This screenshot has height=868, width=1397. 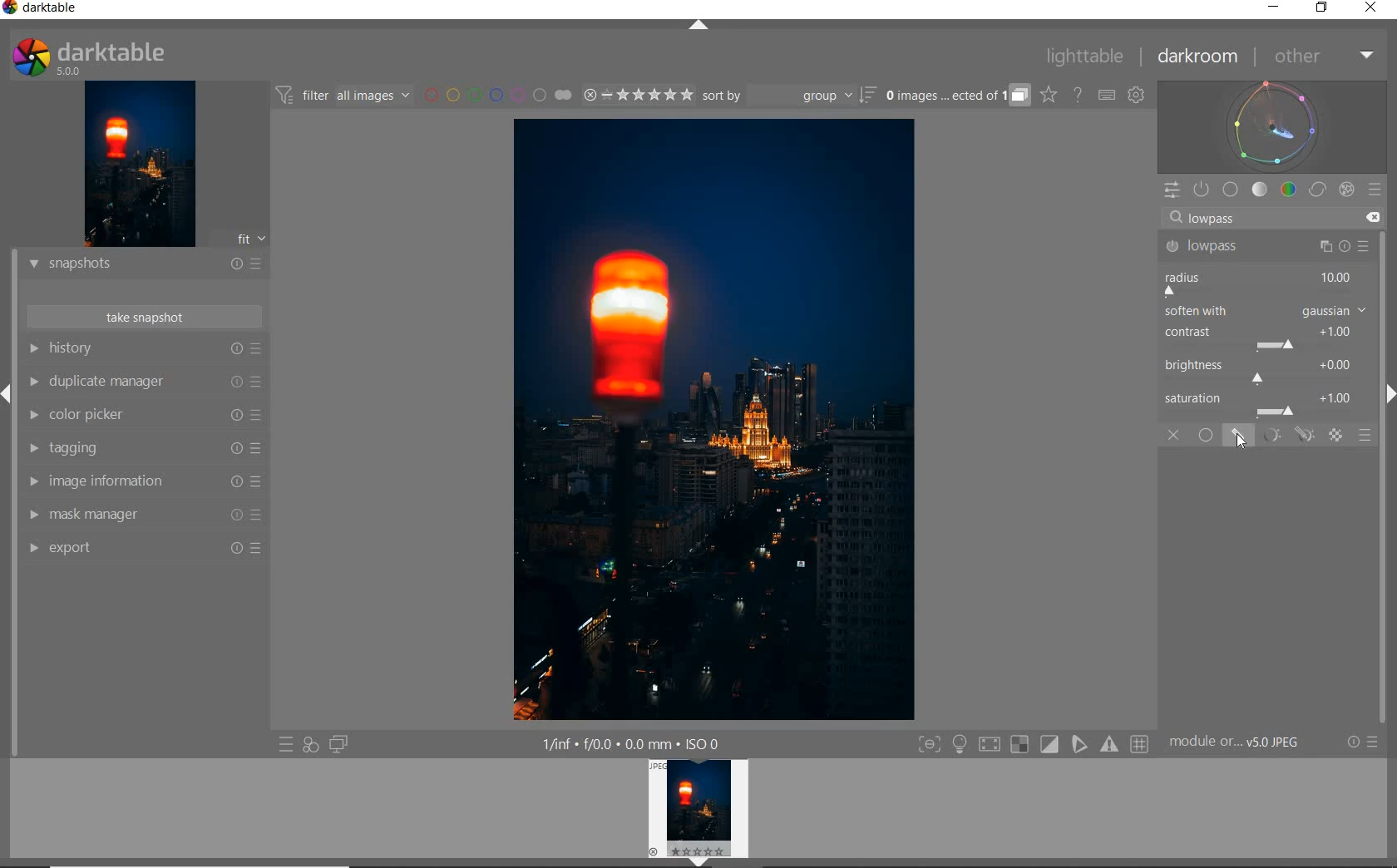 I want to click on DUPLICATE MANAGER, so click(x=105, y=382).